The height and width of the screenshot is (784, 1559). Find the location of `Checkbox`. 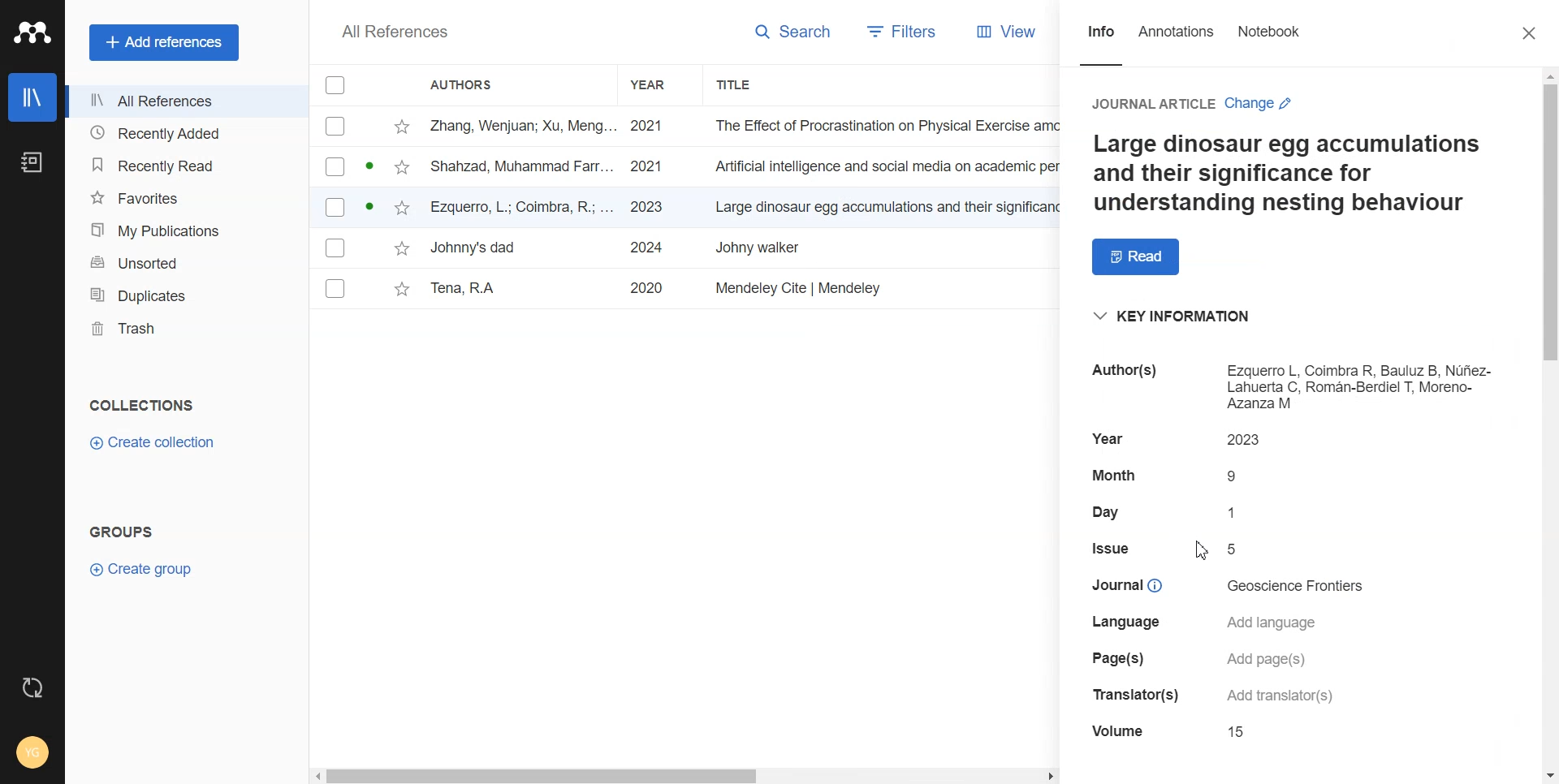

Checkbox is located at coordinates (336, 288).